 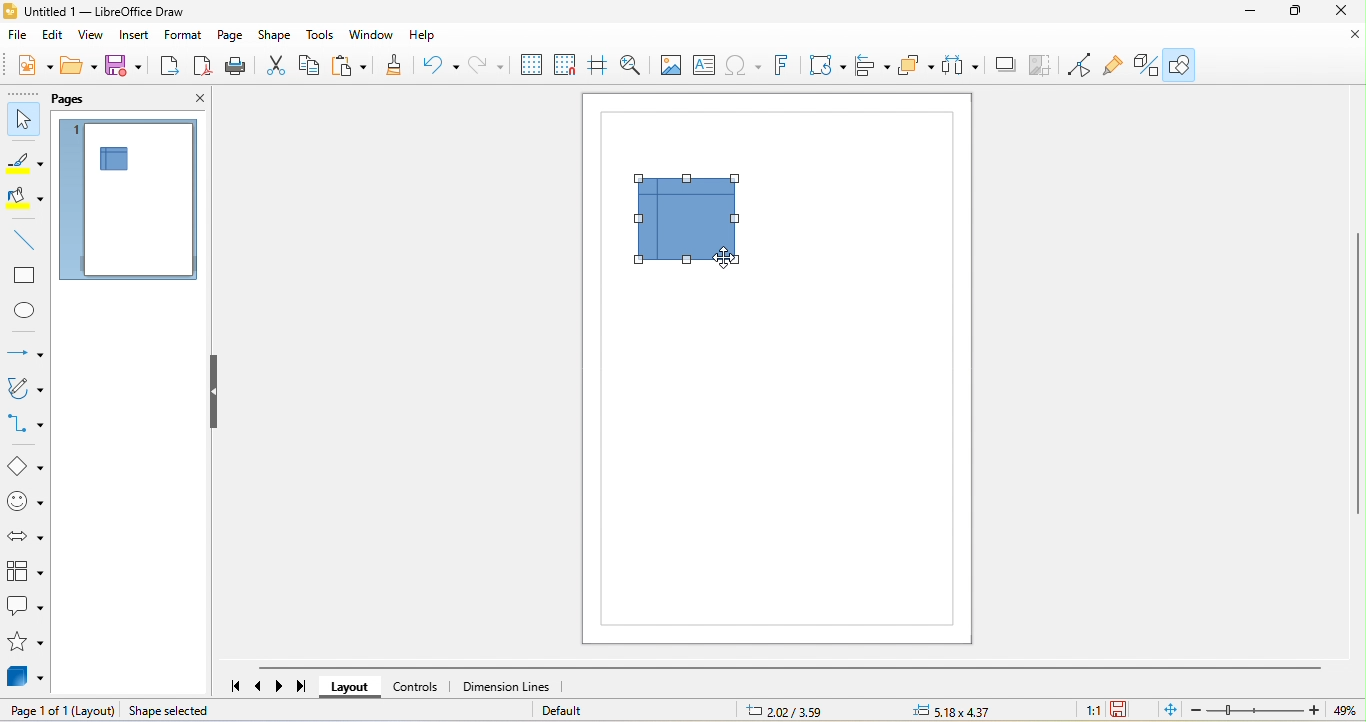 I want to click on show gluepoint function, so click(x=1116, y=65).